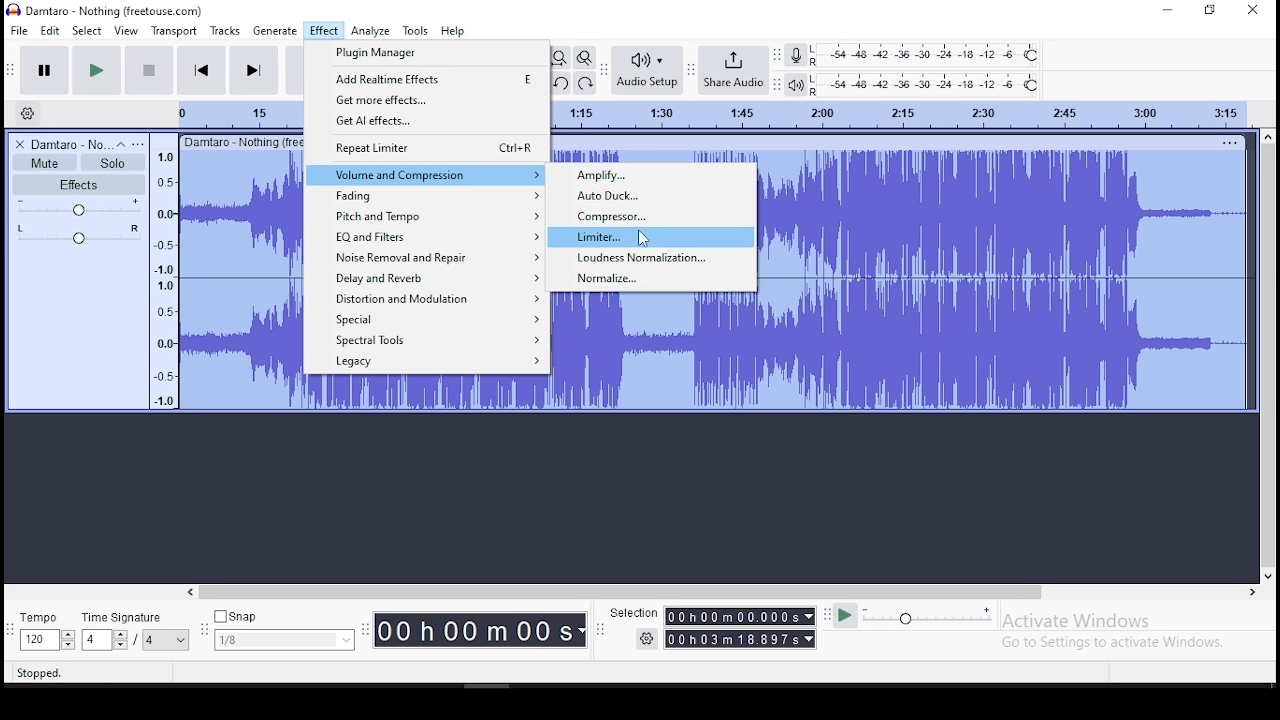  Describe the element at coordinates (913, 618) in the screenshot. I see `playback speed` at that location.